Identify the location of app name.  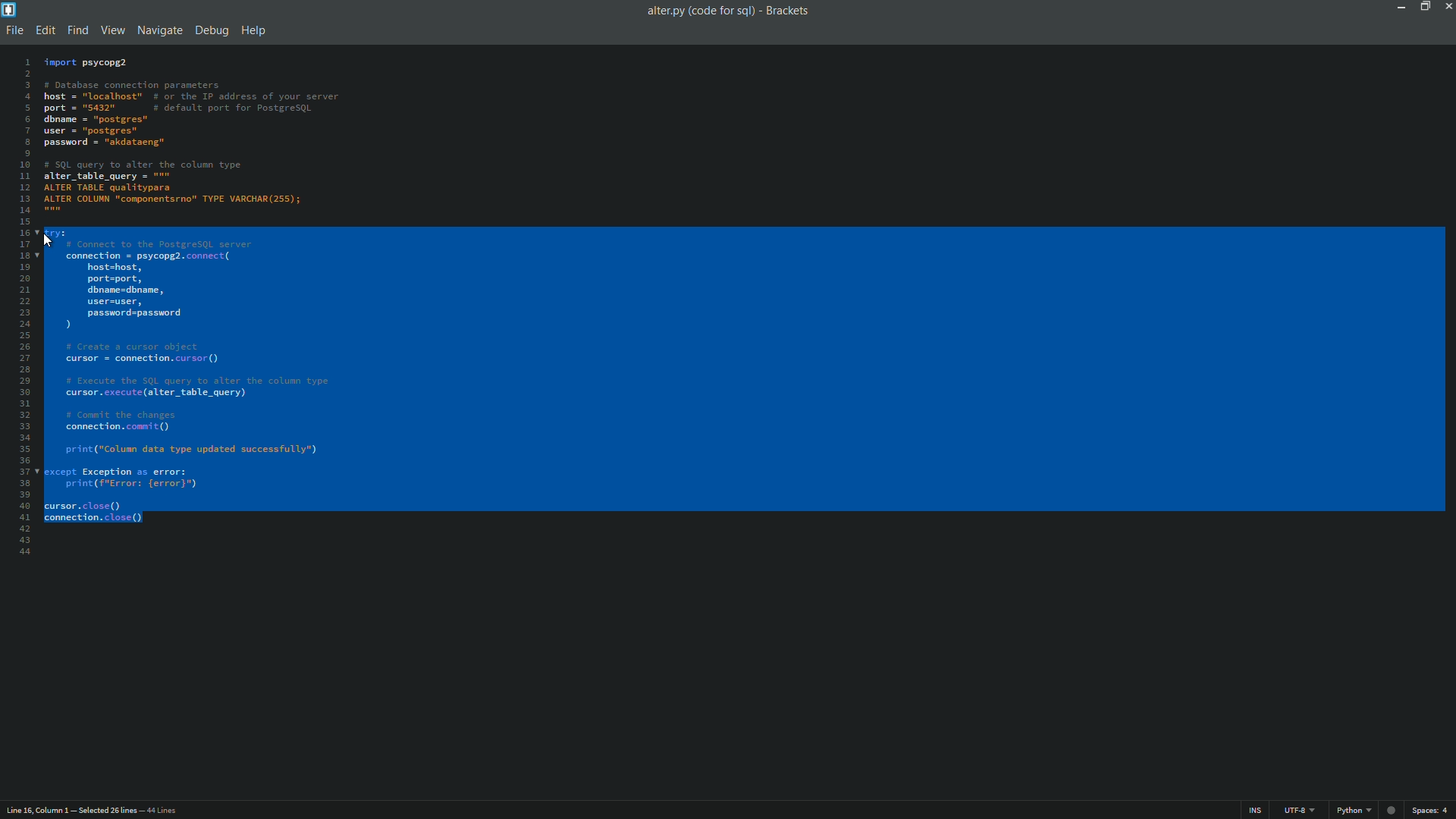
(790, 11).